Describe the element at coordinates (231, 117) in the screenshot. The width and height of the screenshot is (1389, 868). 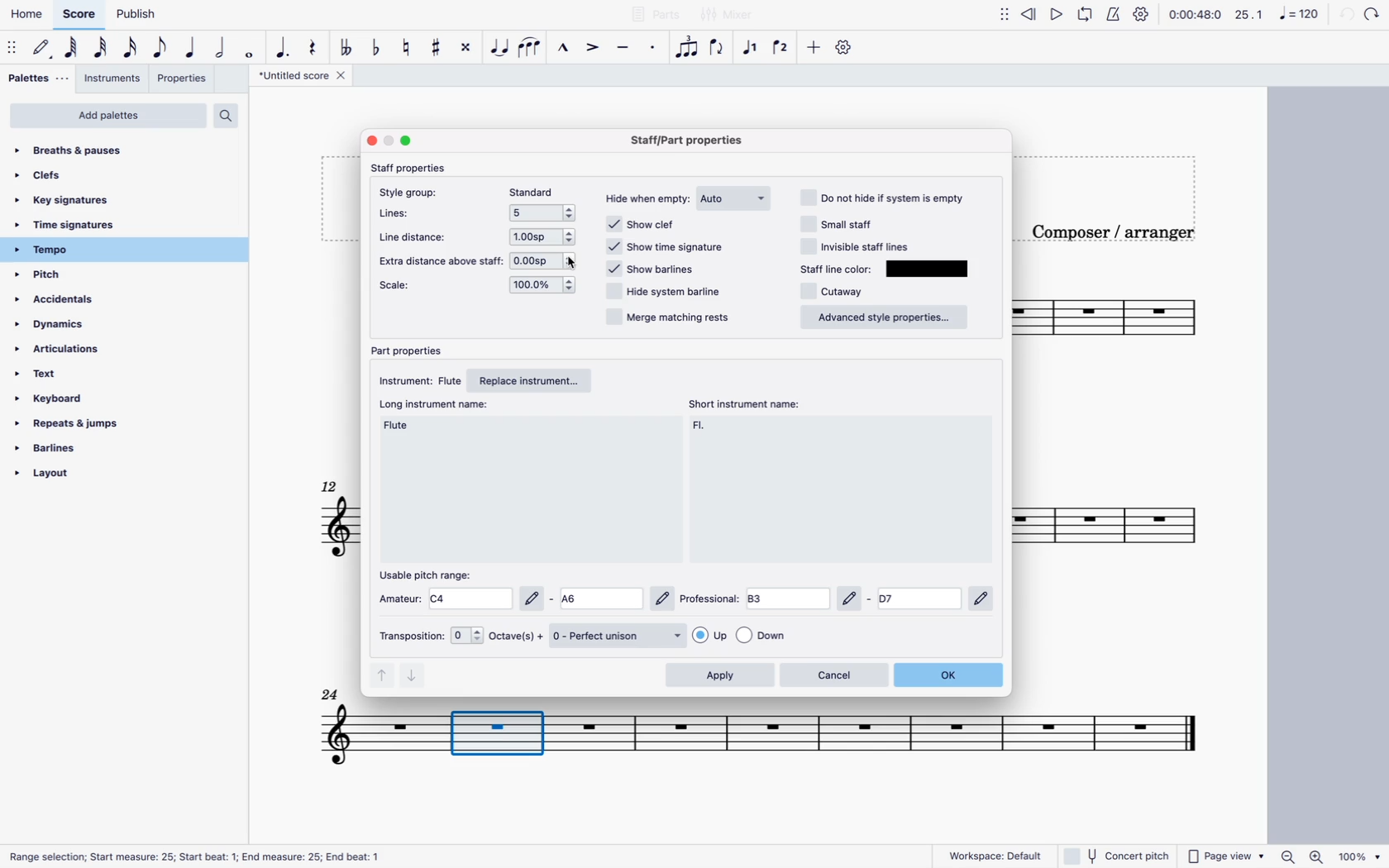
I see `search` at that location.